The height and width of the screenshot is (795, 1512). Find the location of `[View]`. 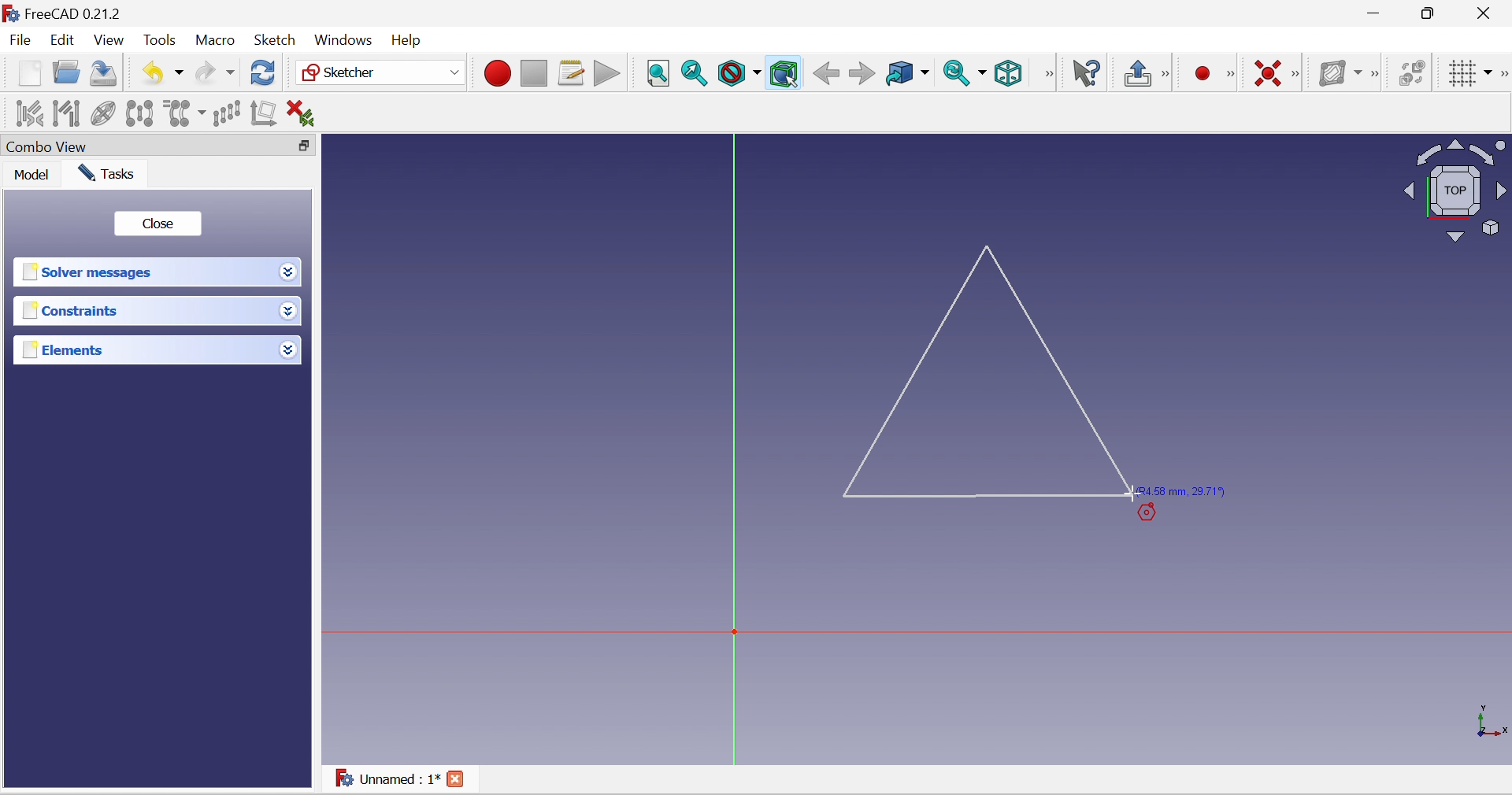

[View] is located at coordinates (1044, 72).